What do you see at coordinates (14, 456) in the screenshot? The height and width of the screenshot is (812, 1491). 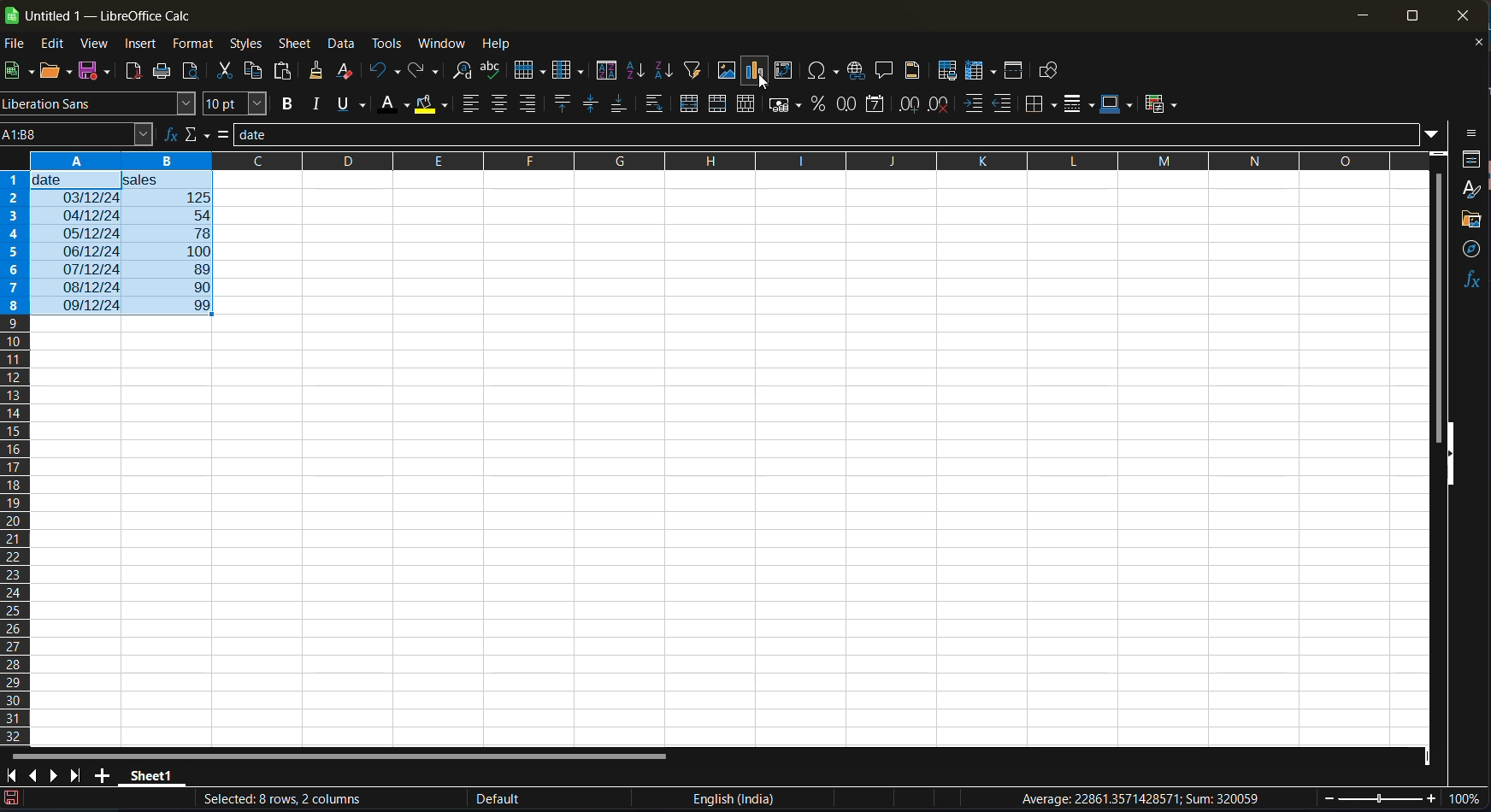 I see `columns` at bounding box center [14, 456].